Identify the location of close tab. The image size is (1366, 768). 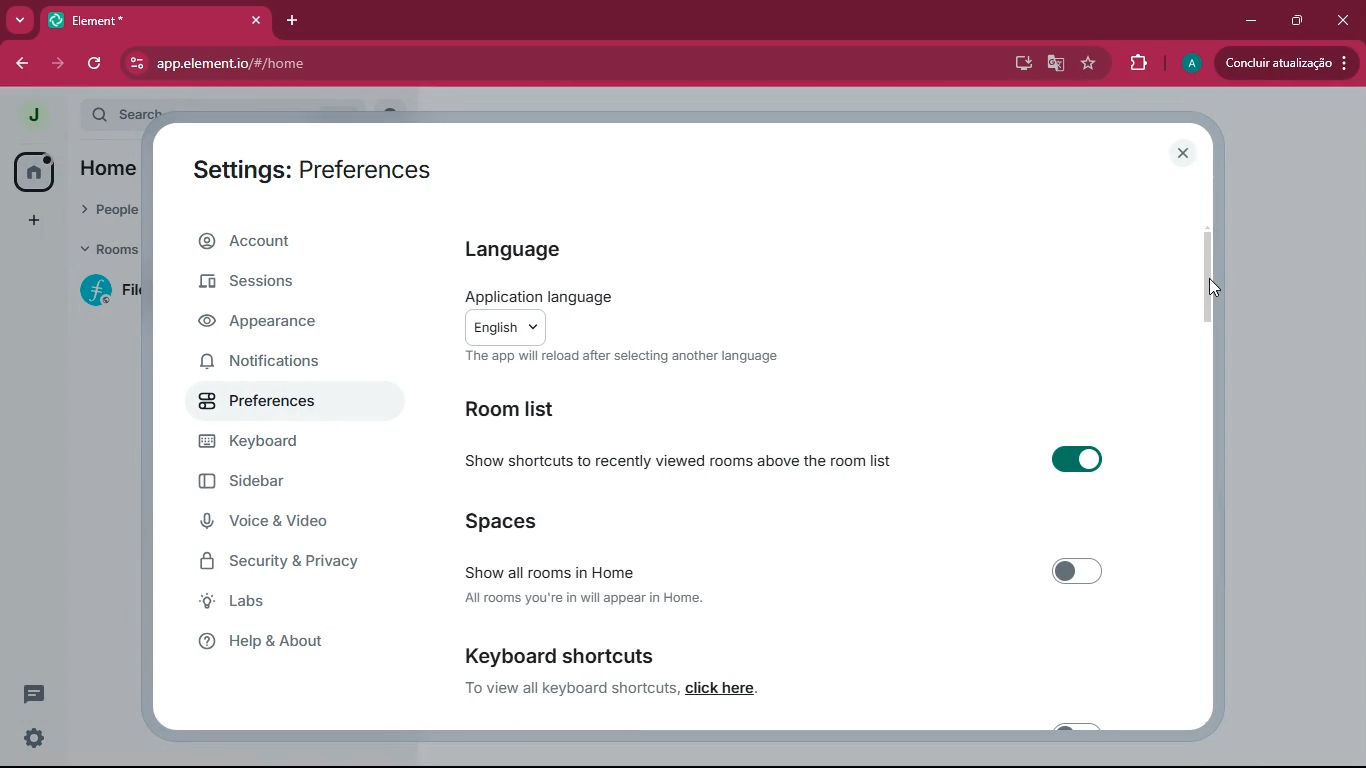
(256, 20).